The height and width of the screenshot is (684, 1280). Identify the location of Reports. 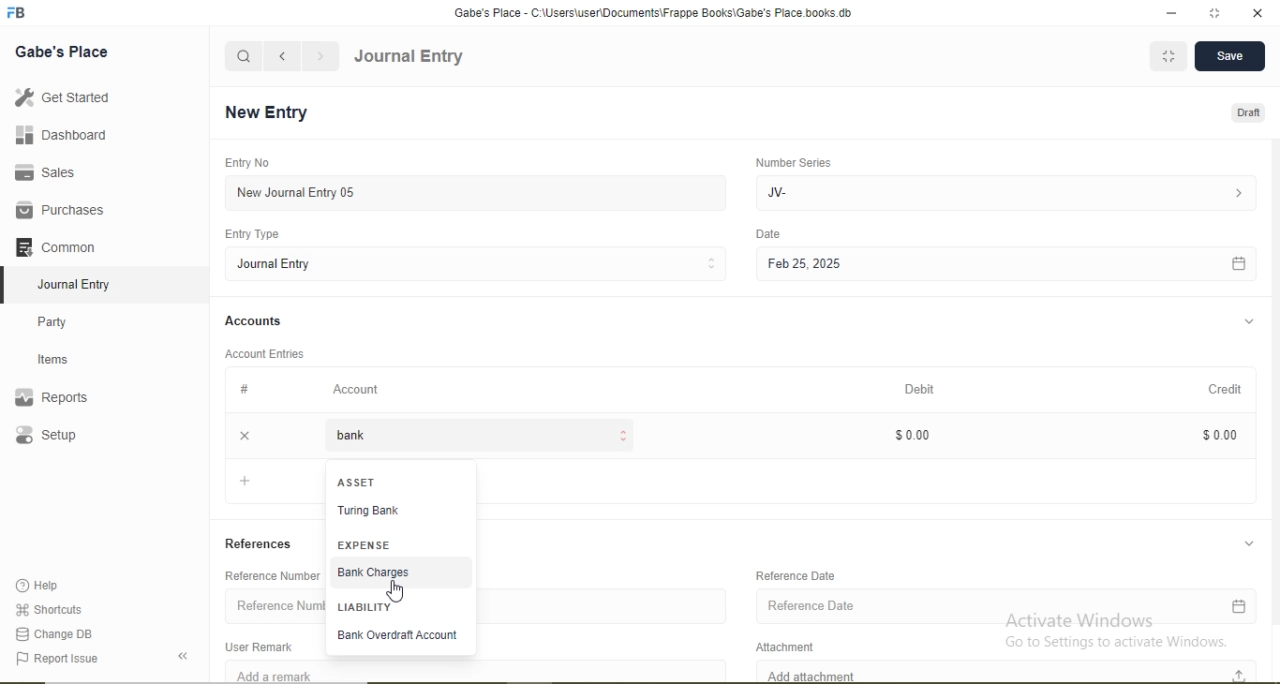
(61, 398).